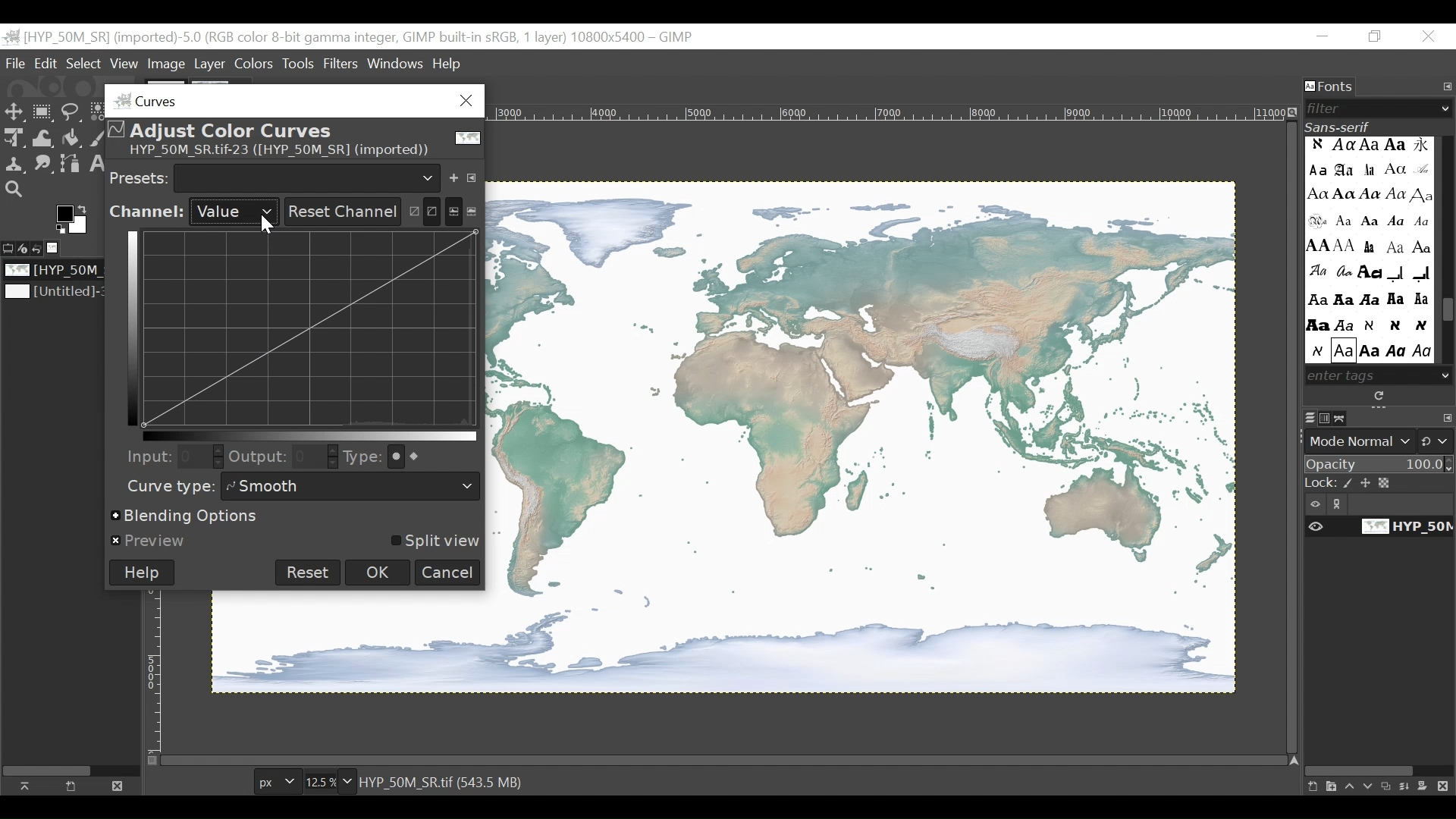  What do you see at coordinates (457, 175) in the screenshot?
I see `Save the current setting as named preset` at bounding box center [457, 175].